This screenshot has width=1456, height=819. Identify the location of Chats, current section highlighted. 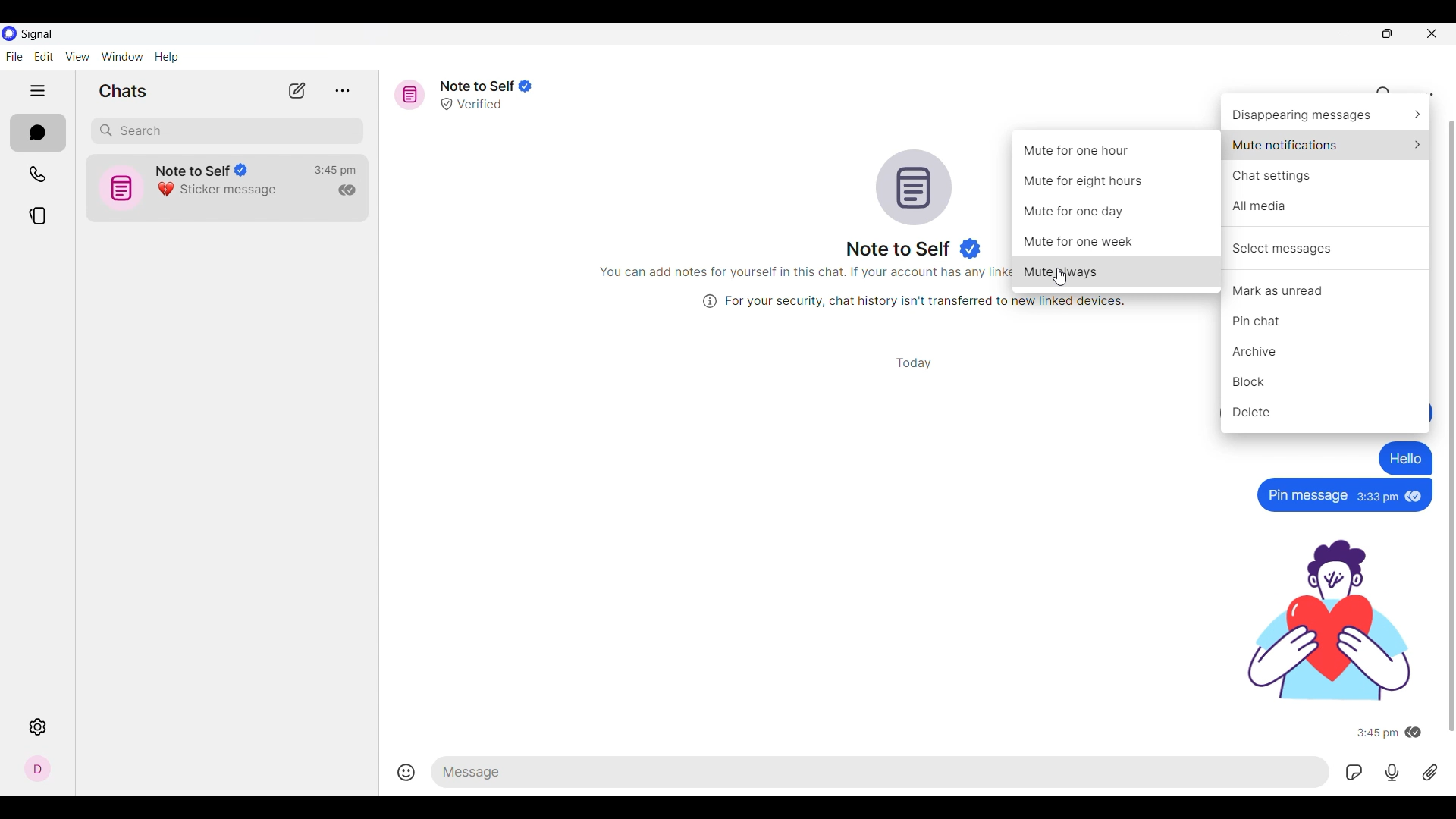
(39, 133).